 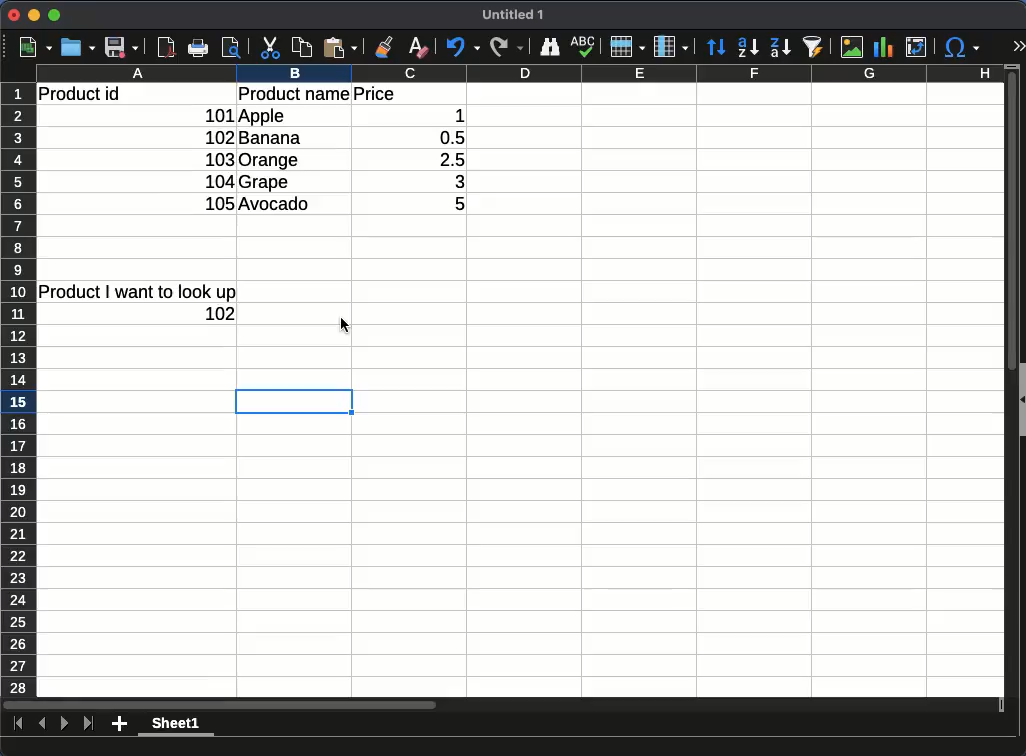 I want to click on expand, so click(x=1018, y=45).